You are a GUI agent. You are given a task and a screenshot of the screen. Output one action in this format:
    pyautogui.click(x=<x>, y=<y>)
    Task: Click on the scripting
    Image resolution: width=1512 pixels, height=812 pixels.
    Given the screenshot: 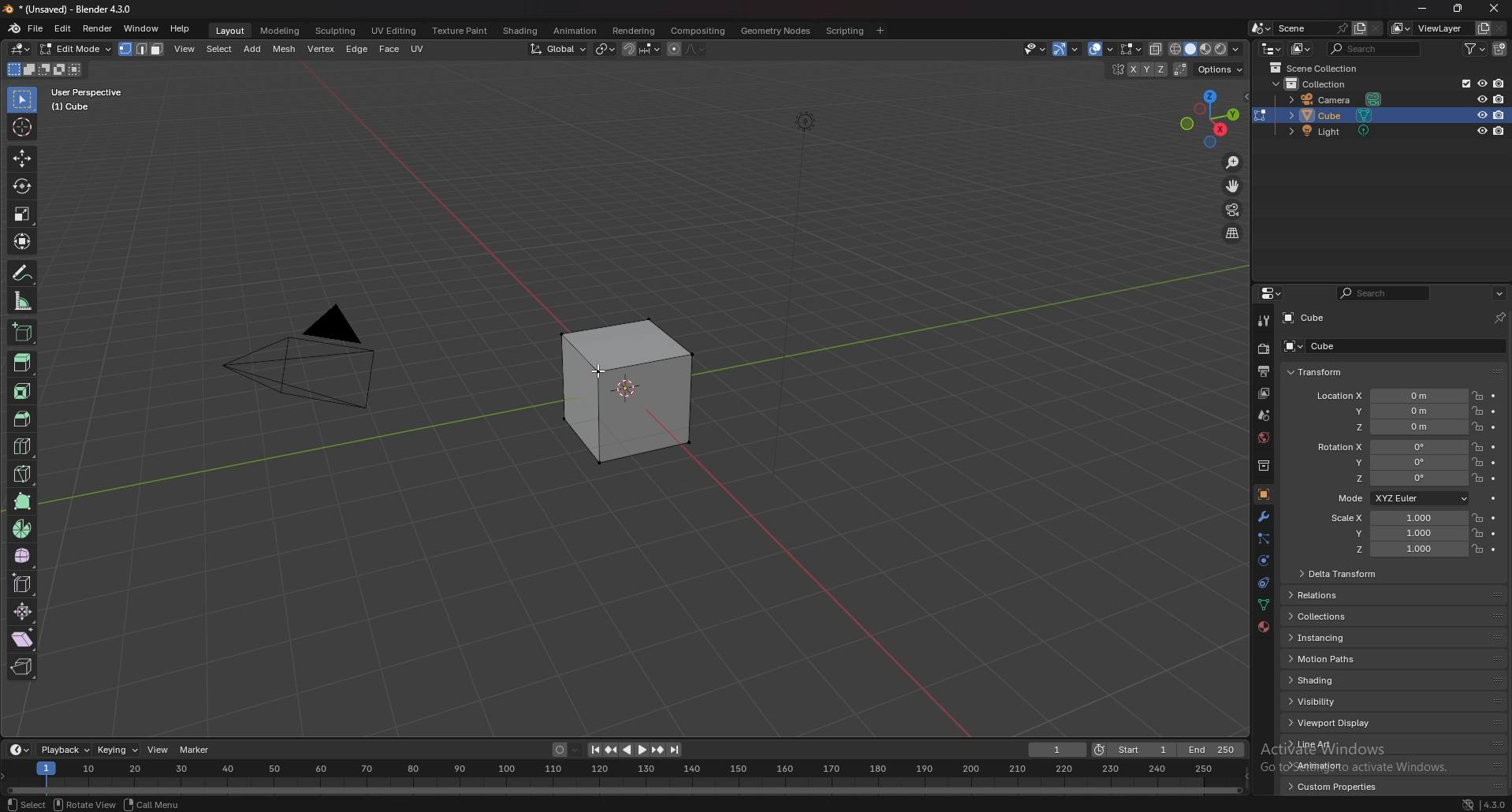 What is the action you would take?
    pyautogui.click(x=847, y=31)
    